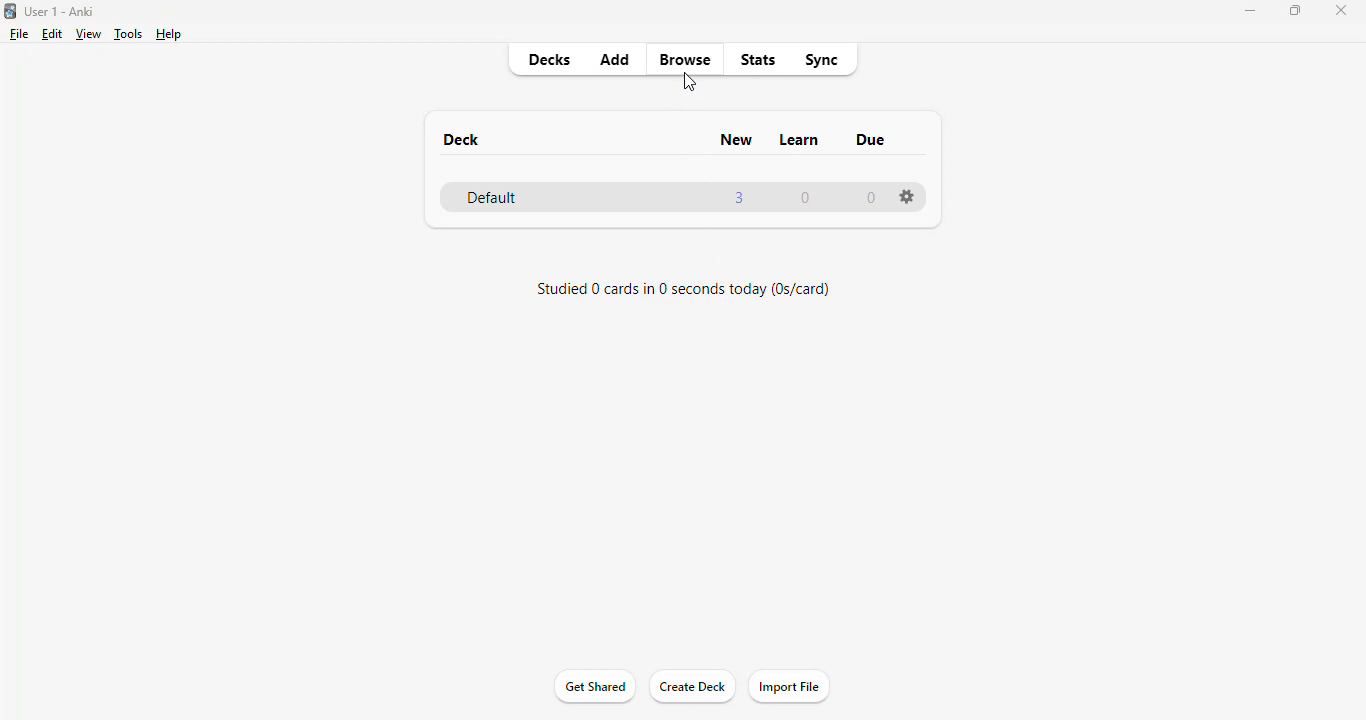 Image resolution: width=1366 pixels, height=720 pixels. What do you see at coordinates (906, 196) in the screenshot?
I see `options` at bounding box center [906, 196].